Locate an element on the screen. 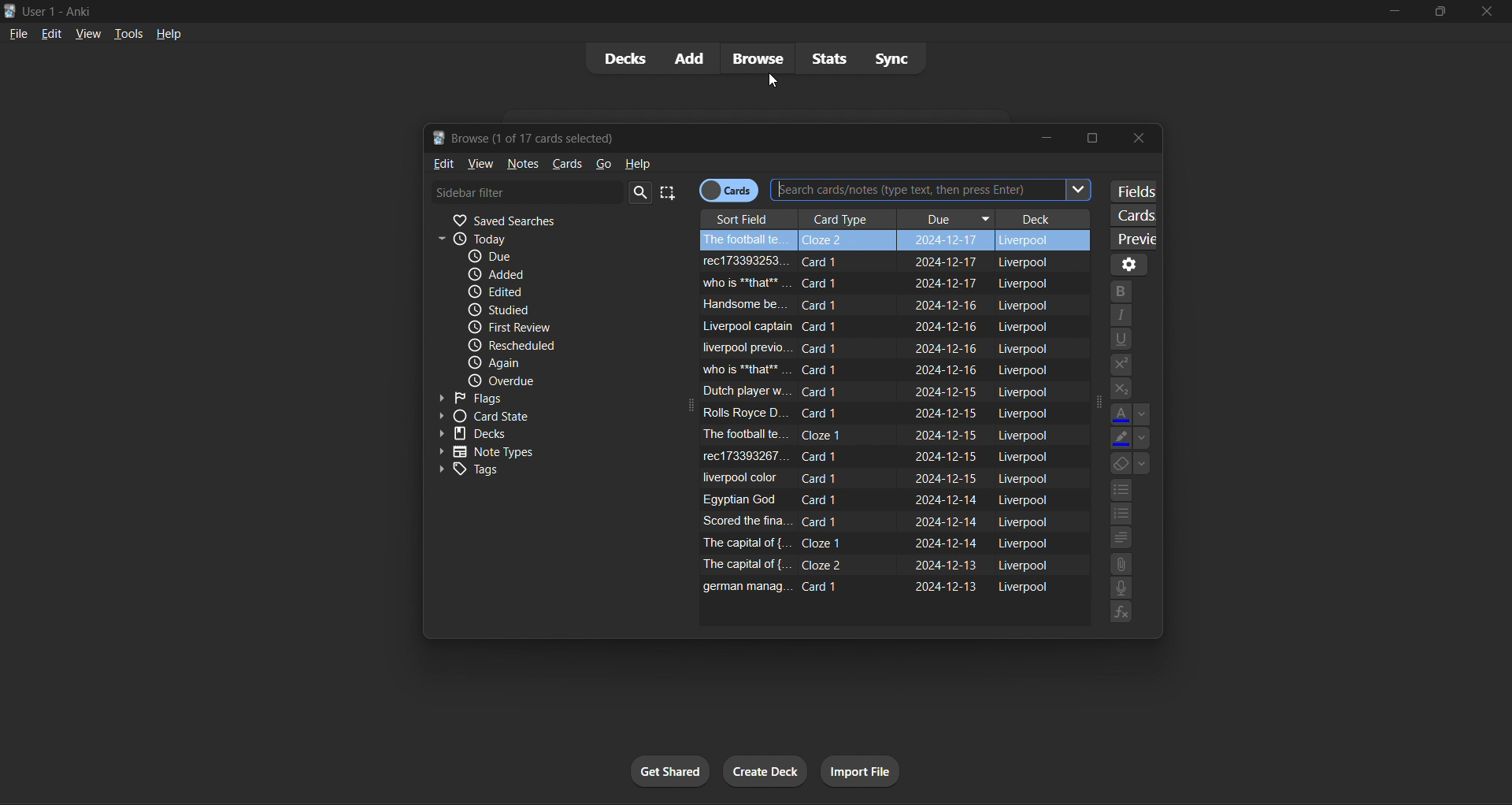  liverpool is located at coordinates (1028, 457).